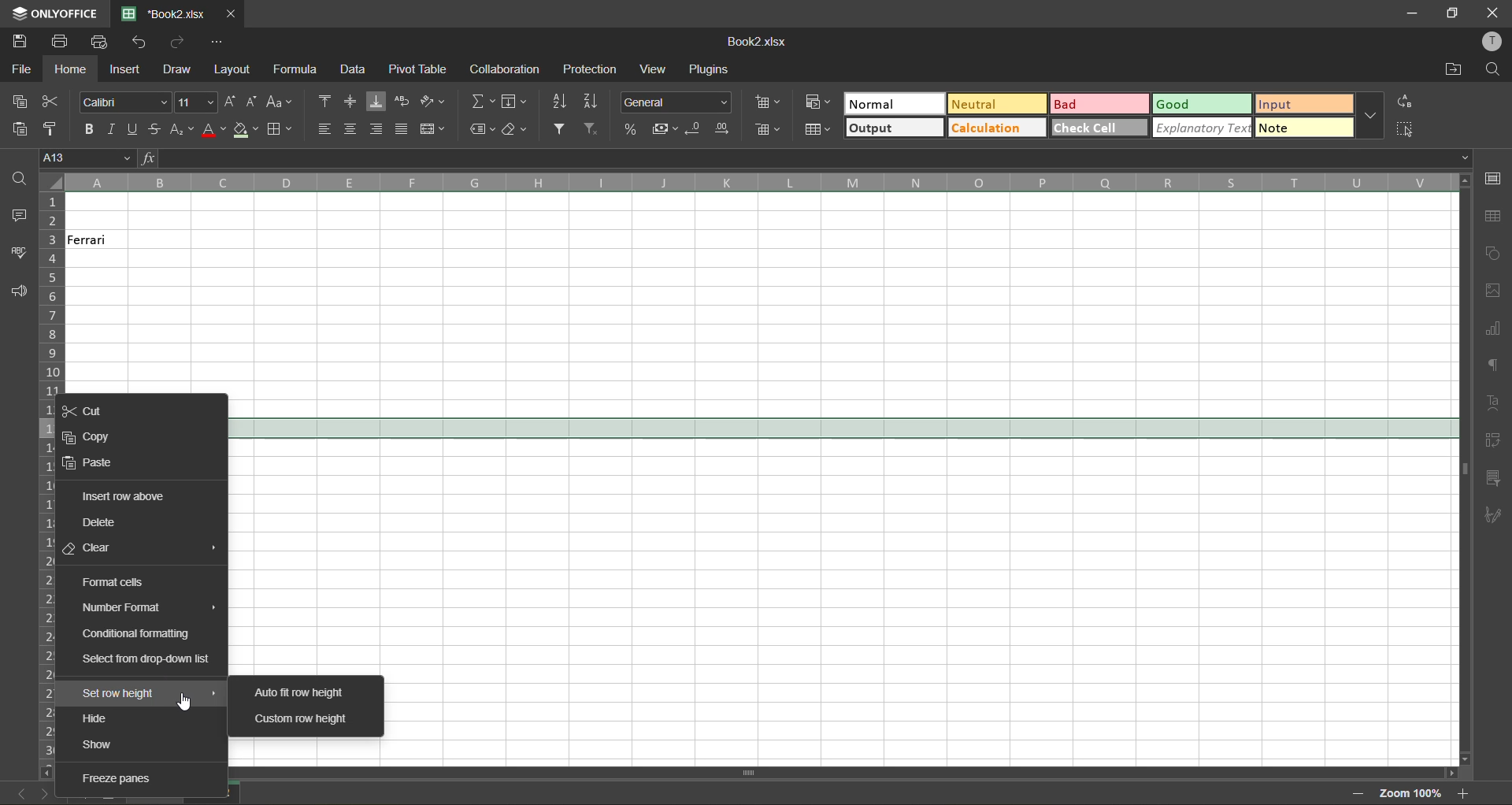 This screenshot has width=1512, height=805. Describe the element at coordinates (302, 692) in the screenshot. I see `auto fit row height` at that location.